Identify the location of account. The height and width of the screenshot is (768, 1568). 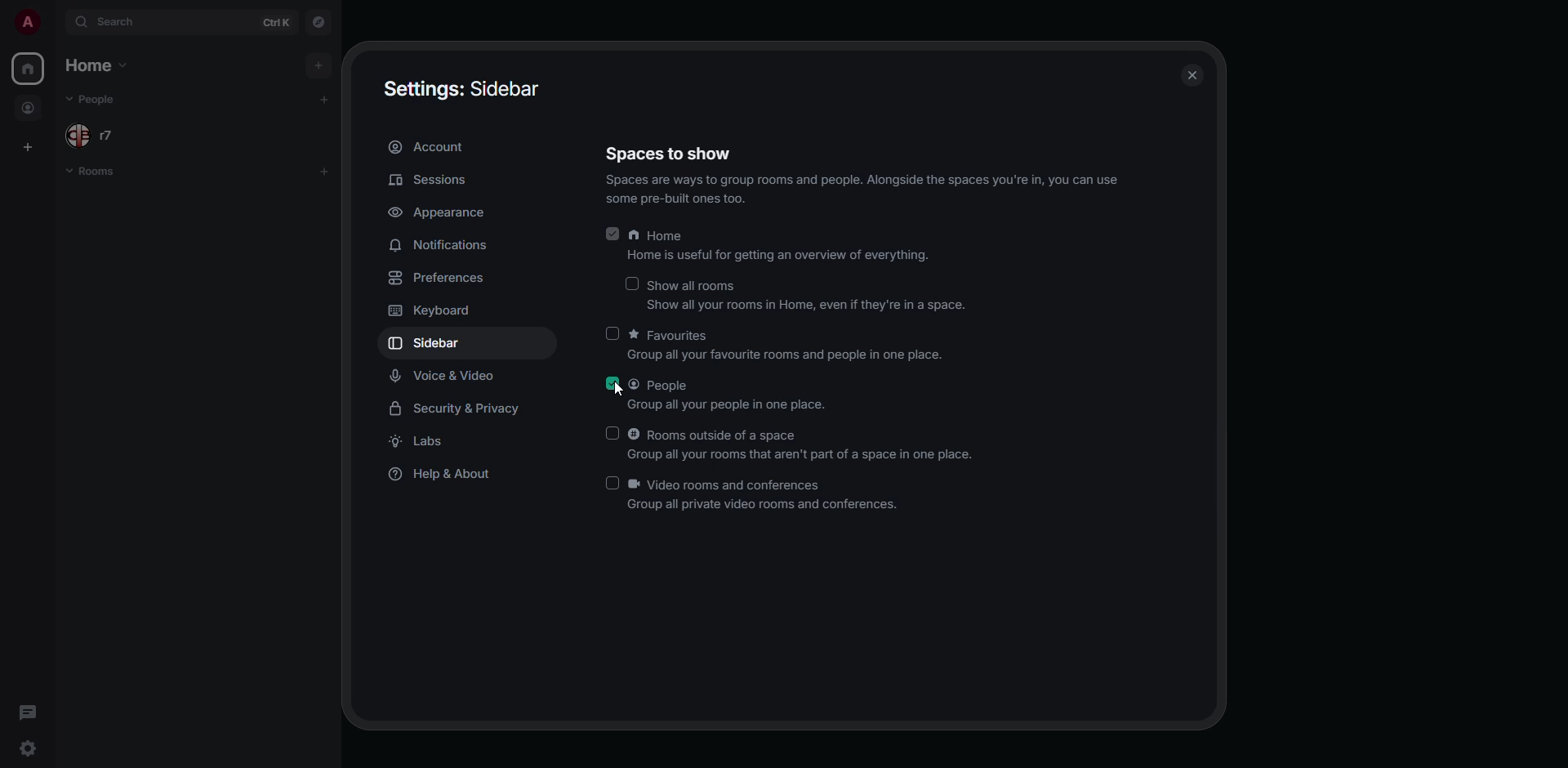
(430, 145).